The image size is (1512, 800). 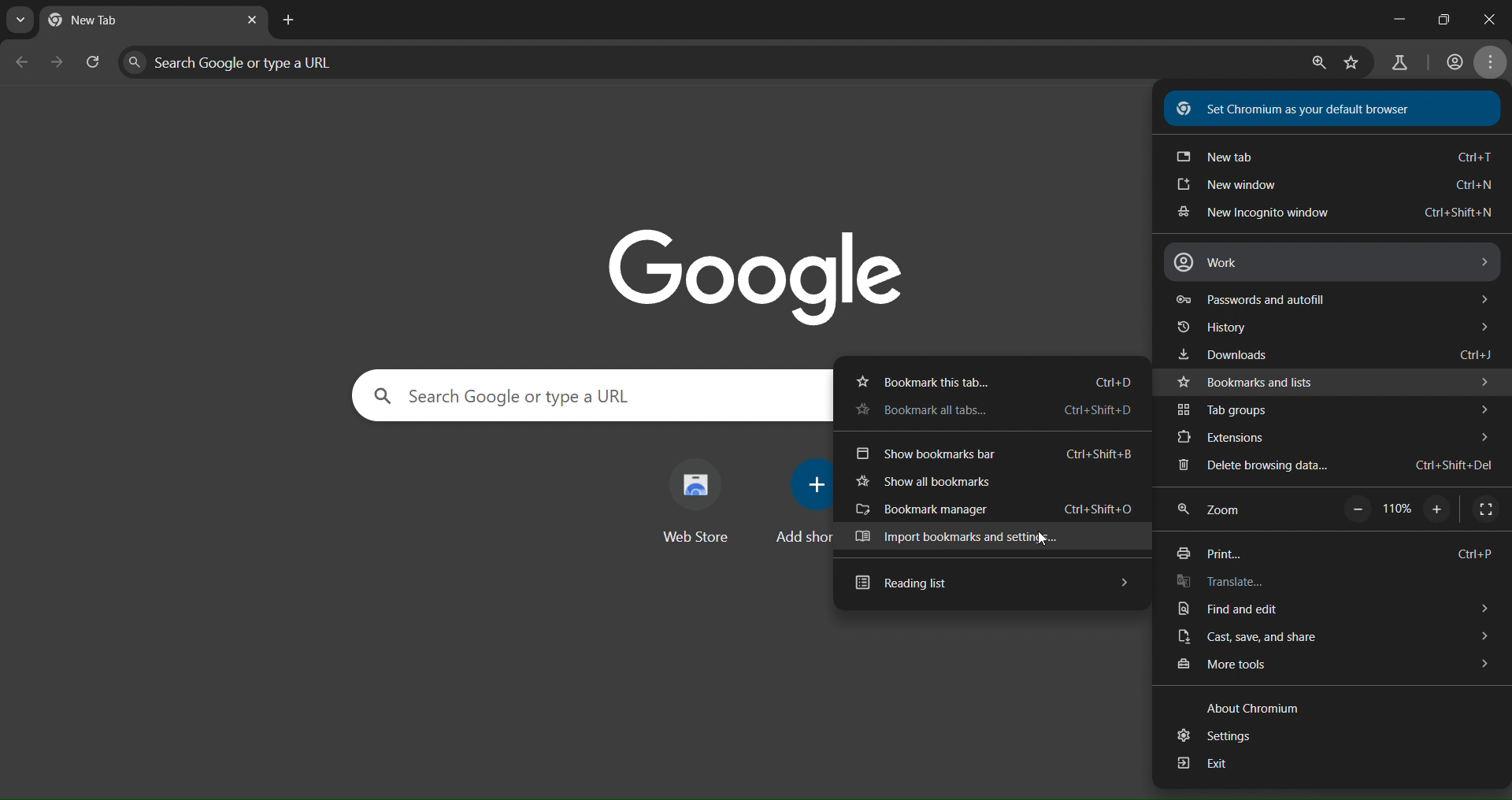 What do you see at coordinates (1333, 639) in the screenshot?
I see `cast save and share` at bounding box center [1333, 639].